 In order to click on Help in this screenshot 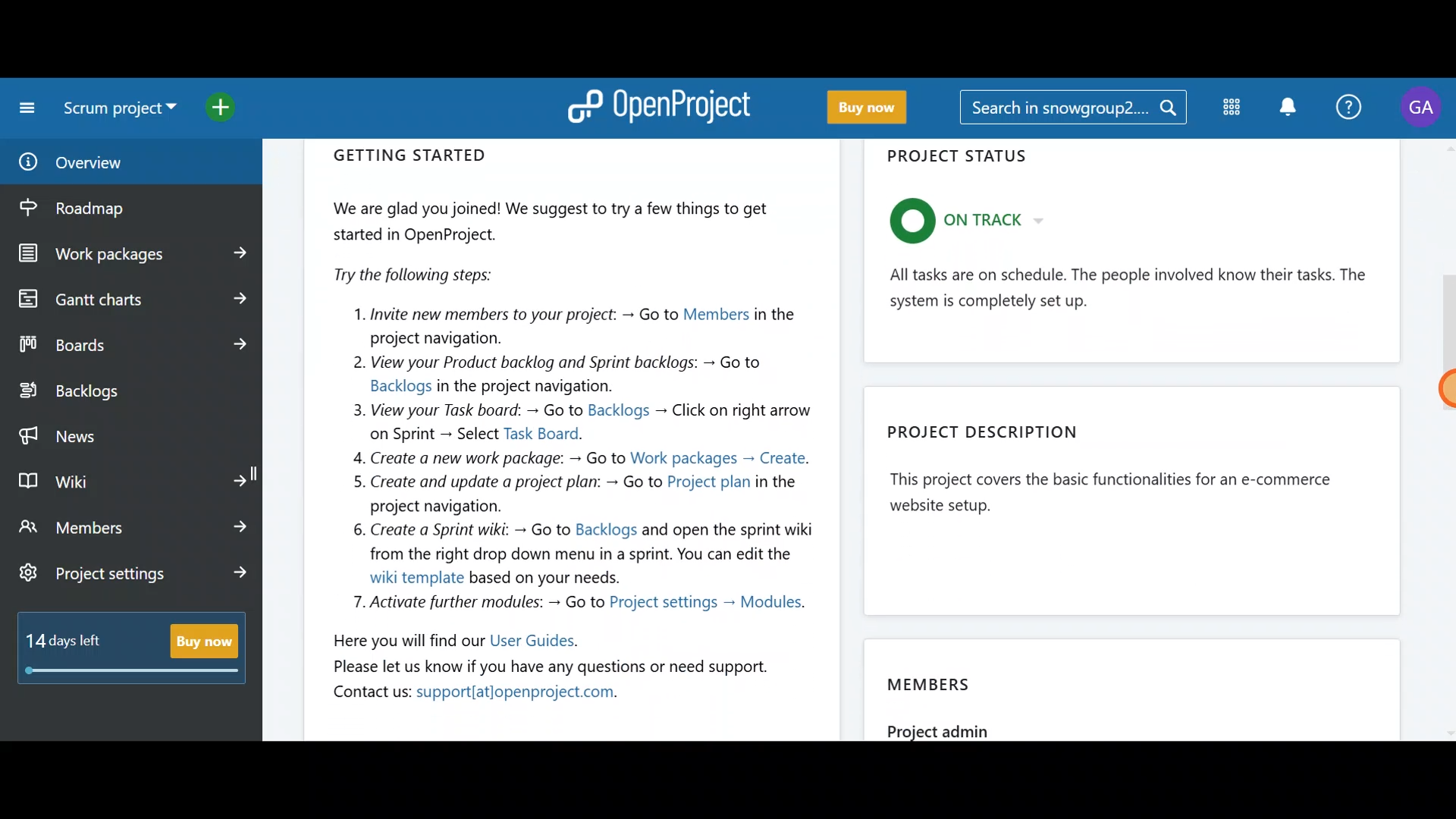, I will do `click(1351, 105)`.